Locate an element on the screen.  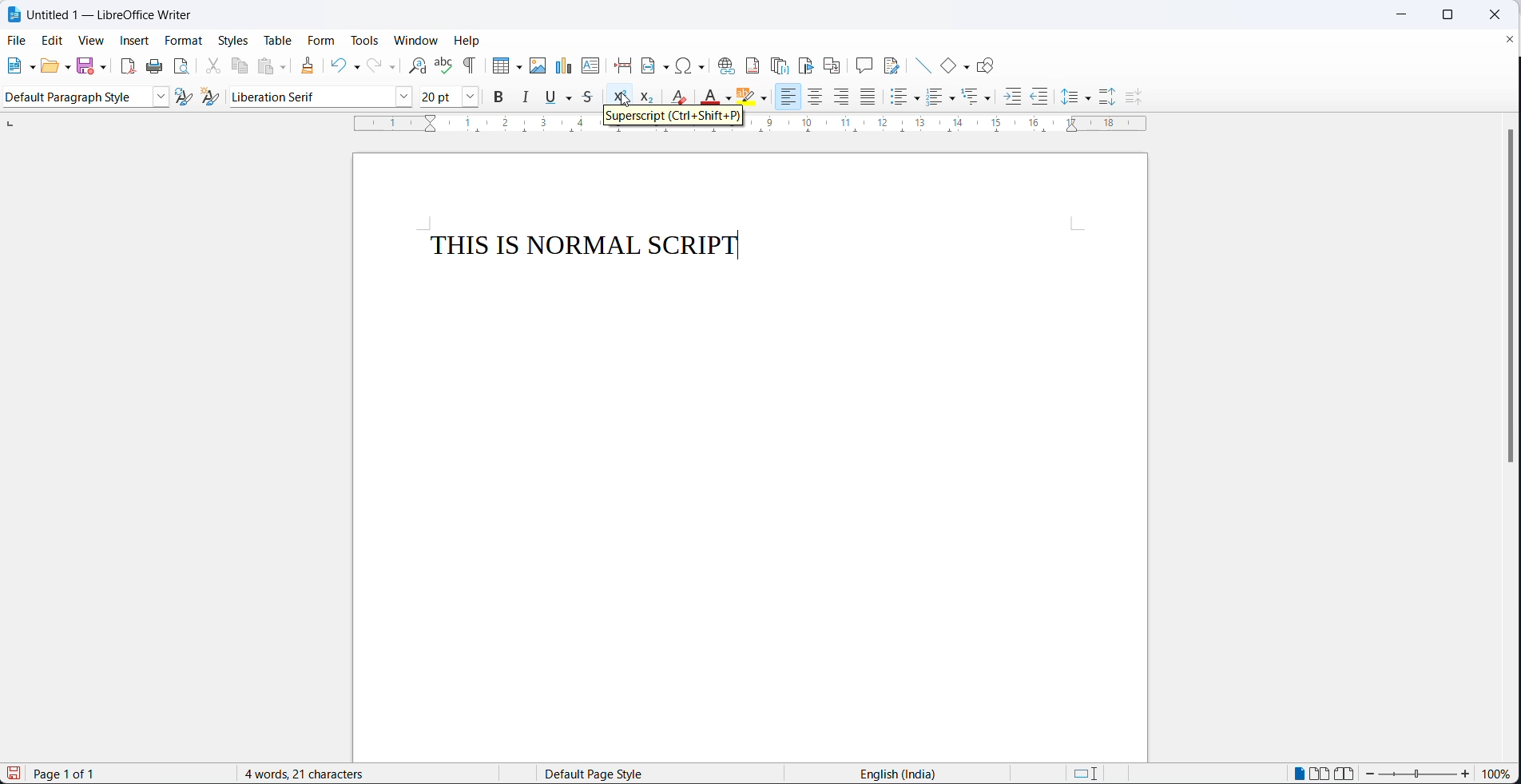
clone formatting is located at coordinates (312, 66).